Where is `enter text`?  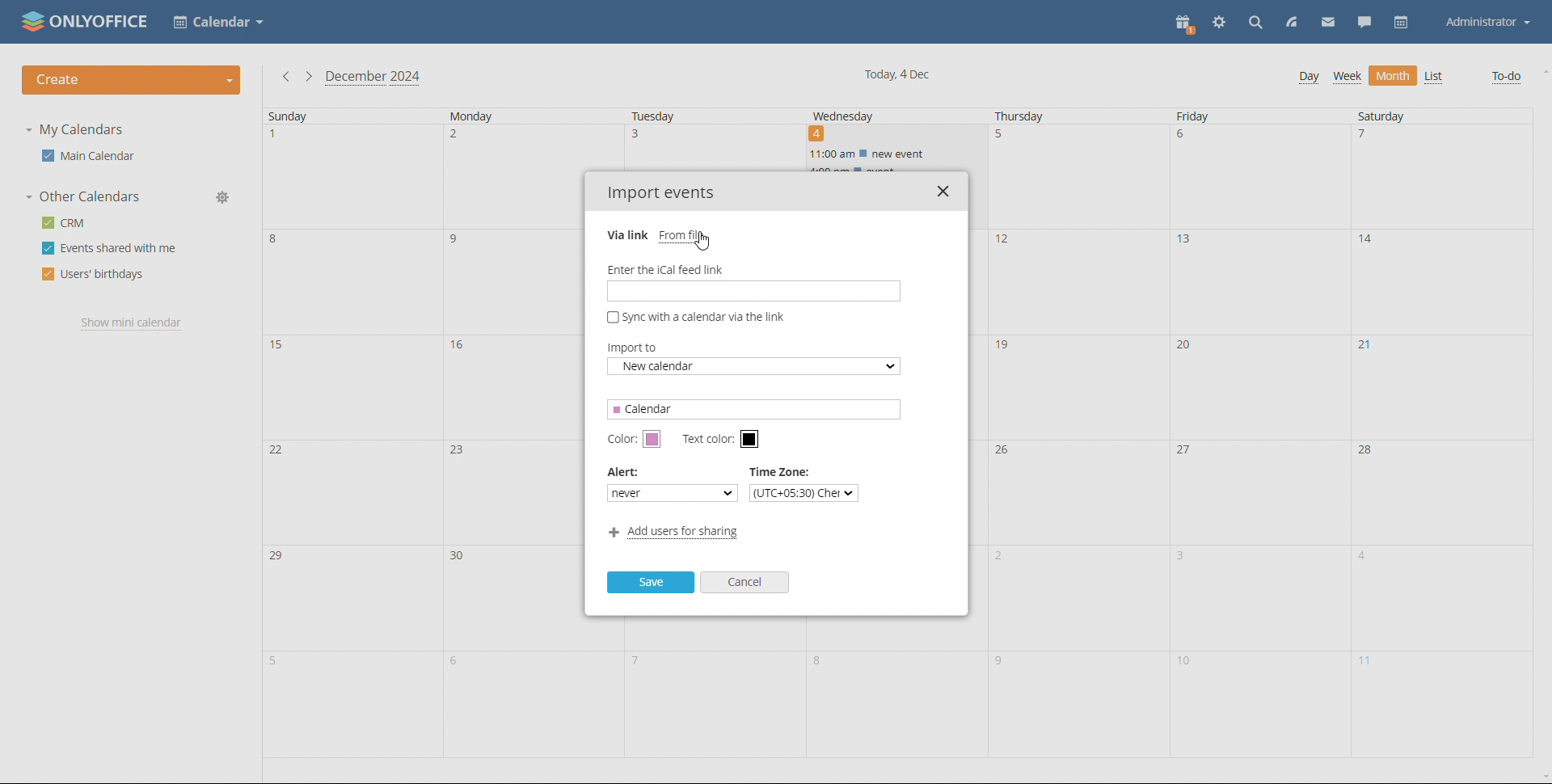
enter text is located at coordinates (753, 290).